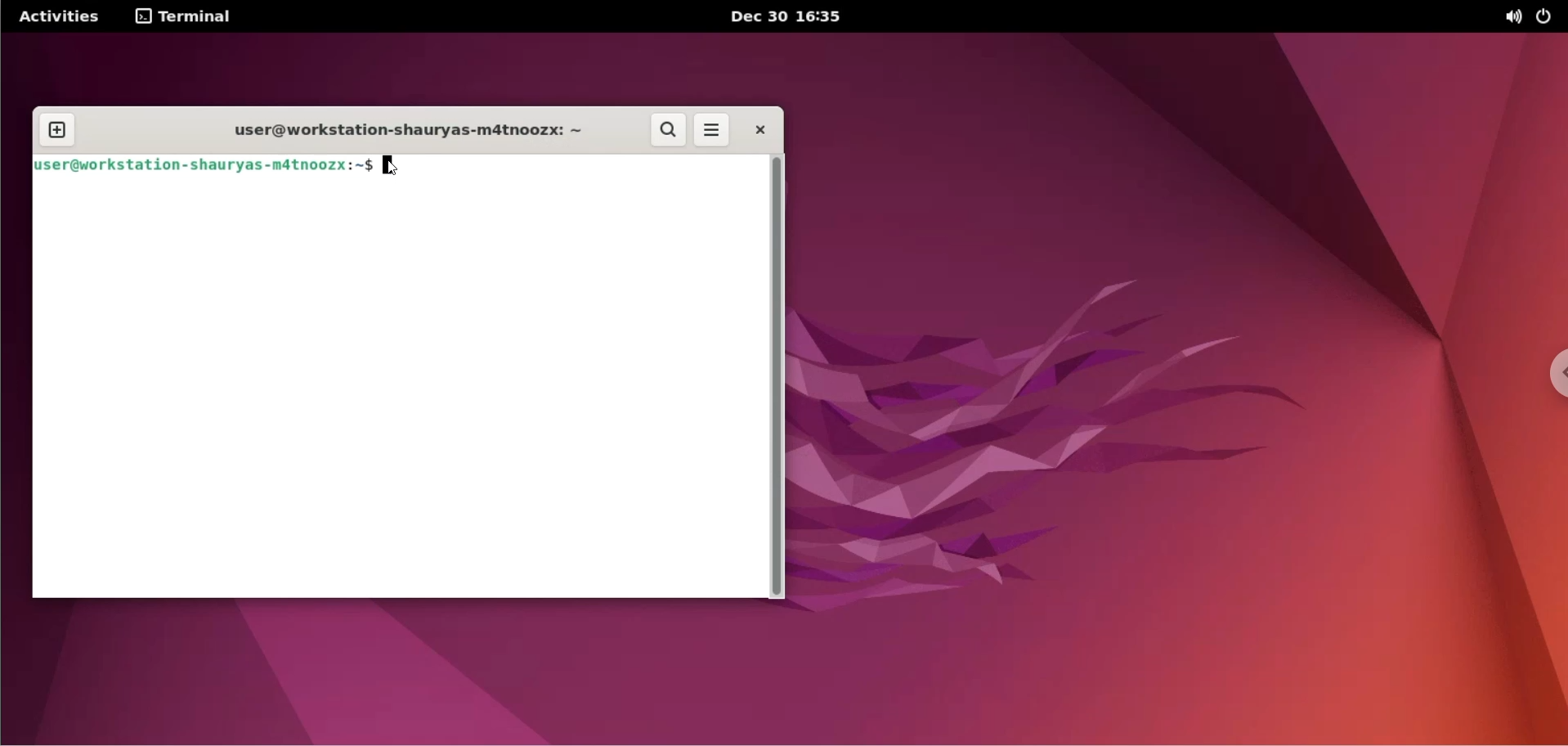 Image resolution: width=1568 pixels, height=746 pixels. I want to click on sound options, so click(1514, 17).